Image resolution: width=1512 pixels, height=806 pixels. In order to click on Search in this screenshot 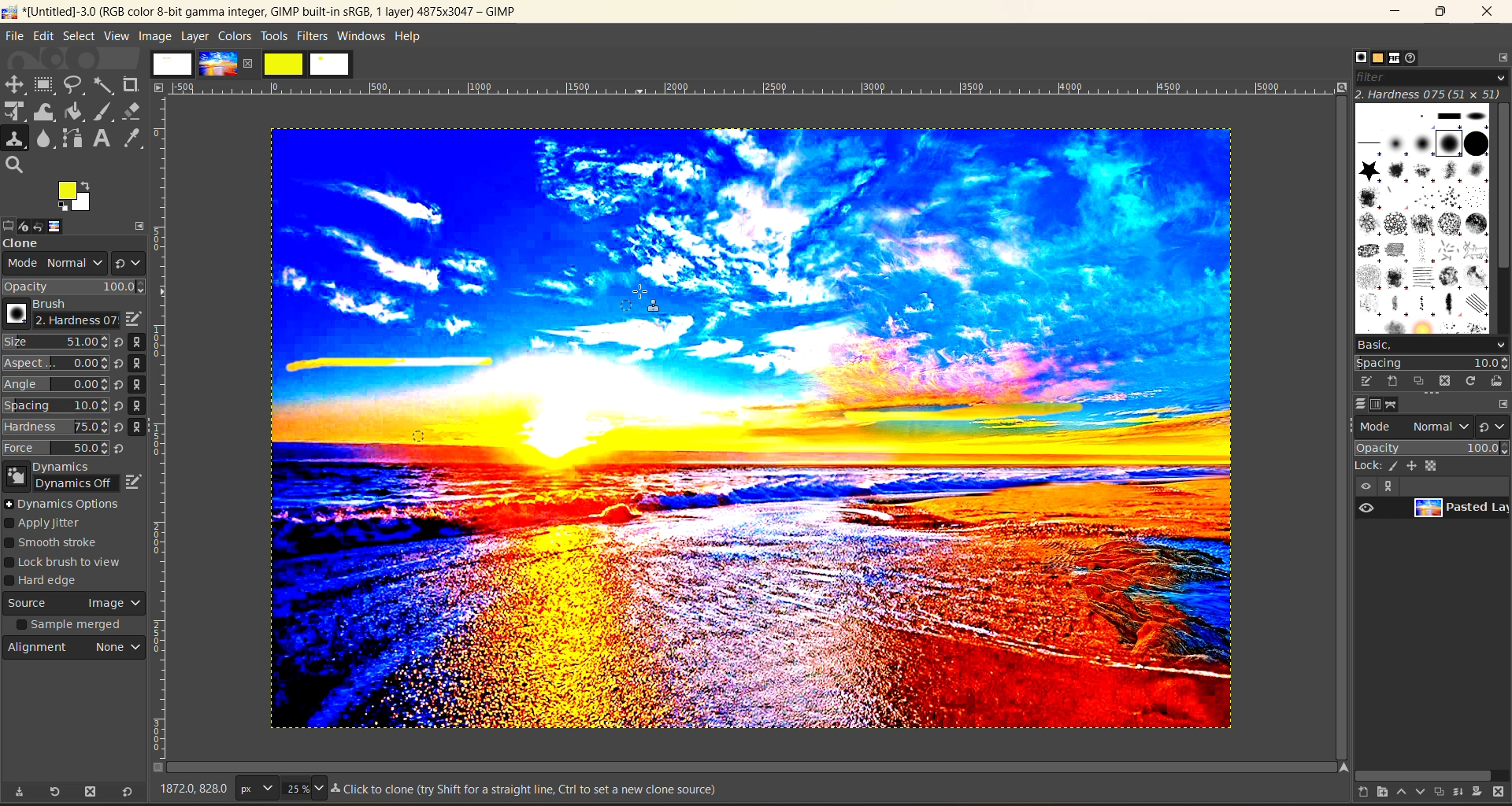, I will do `click(15, 165)`.